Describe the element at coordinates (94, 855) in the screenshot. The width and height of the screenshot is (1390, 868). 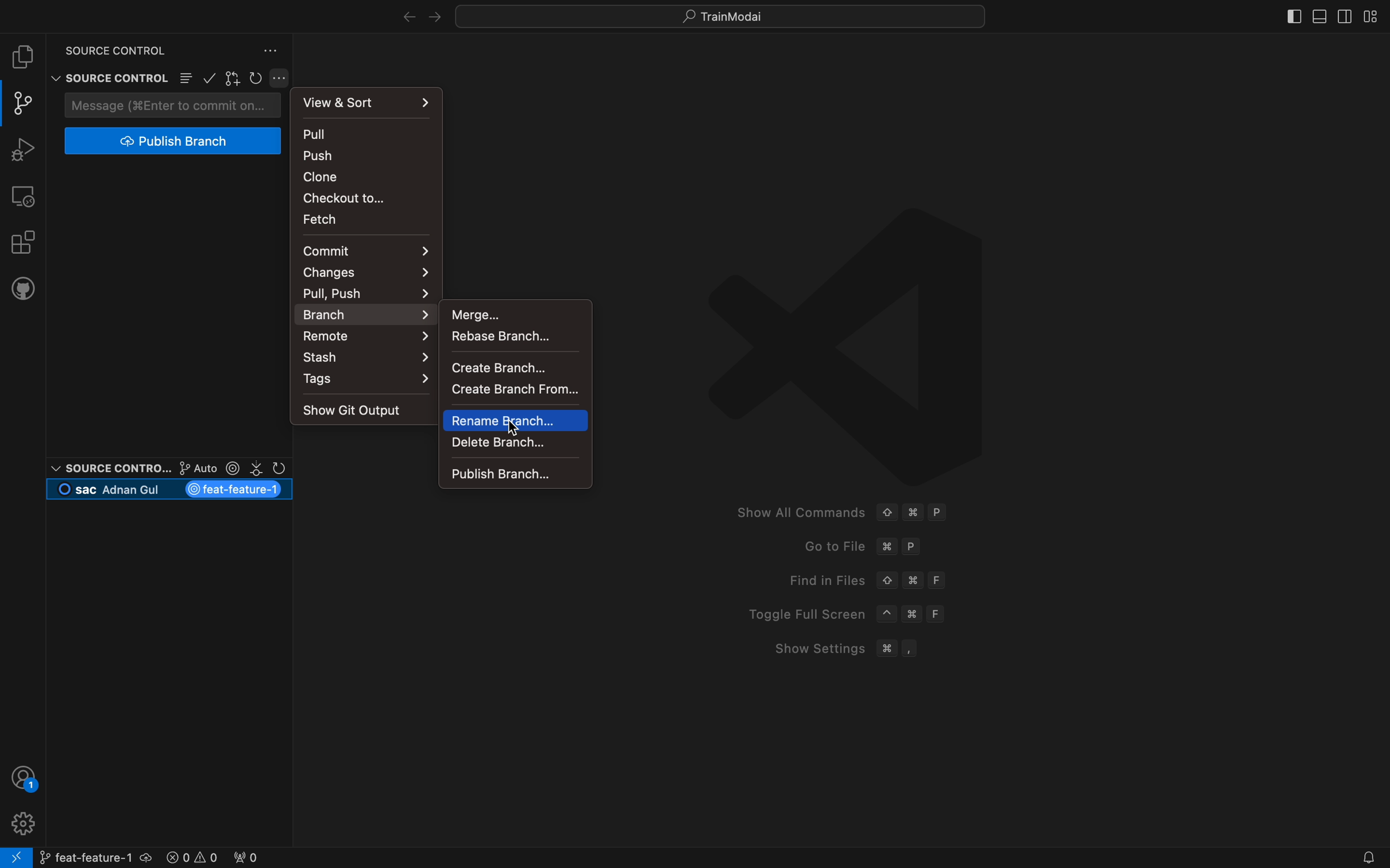
I see `branch` at that location.